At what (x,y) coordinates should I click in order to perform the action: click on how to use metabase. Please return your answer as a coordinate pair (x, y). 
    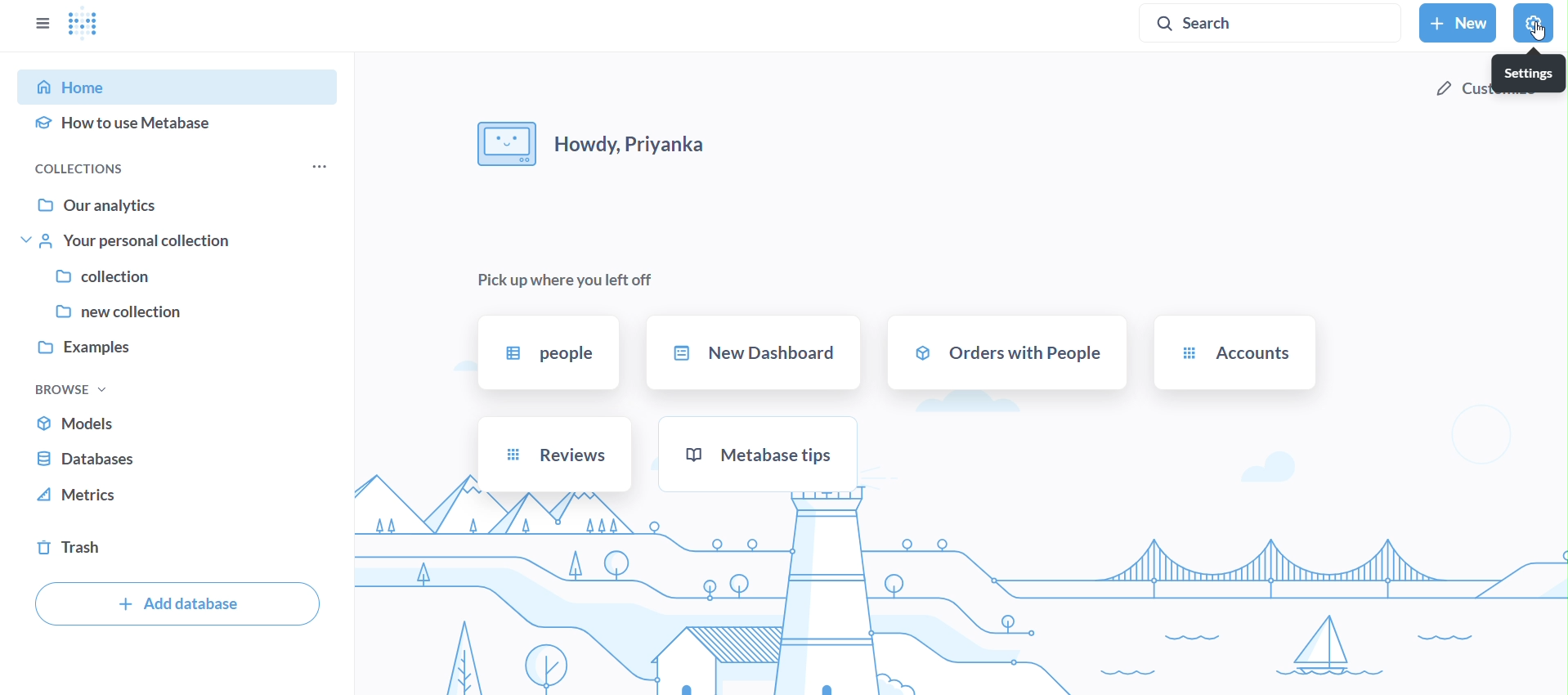
    Looking at the image, I should click on (181, 128).